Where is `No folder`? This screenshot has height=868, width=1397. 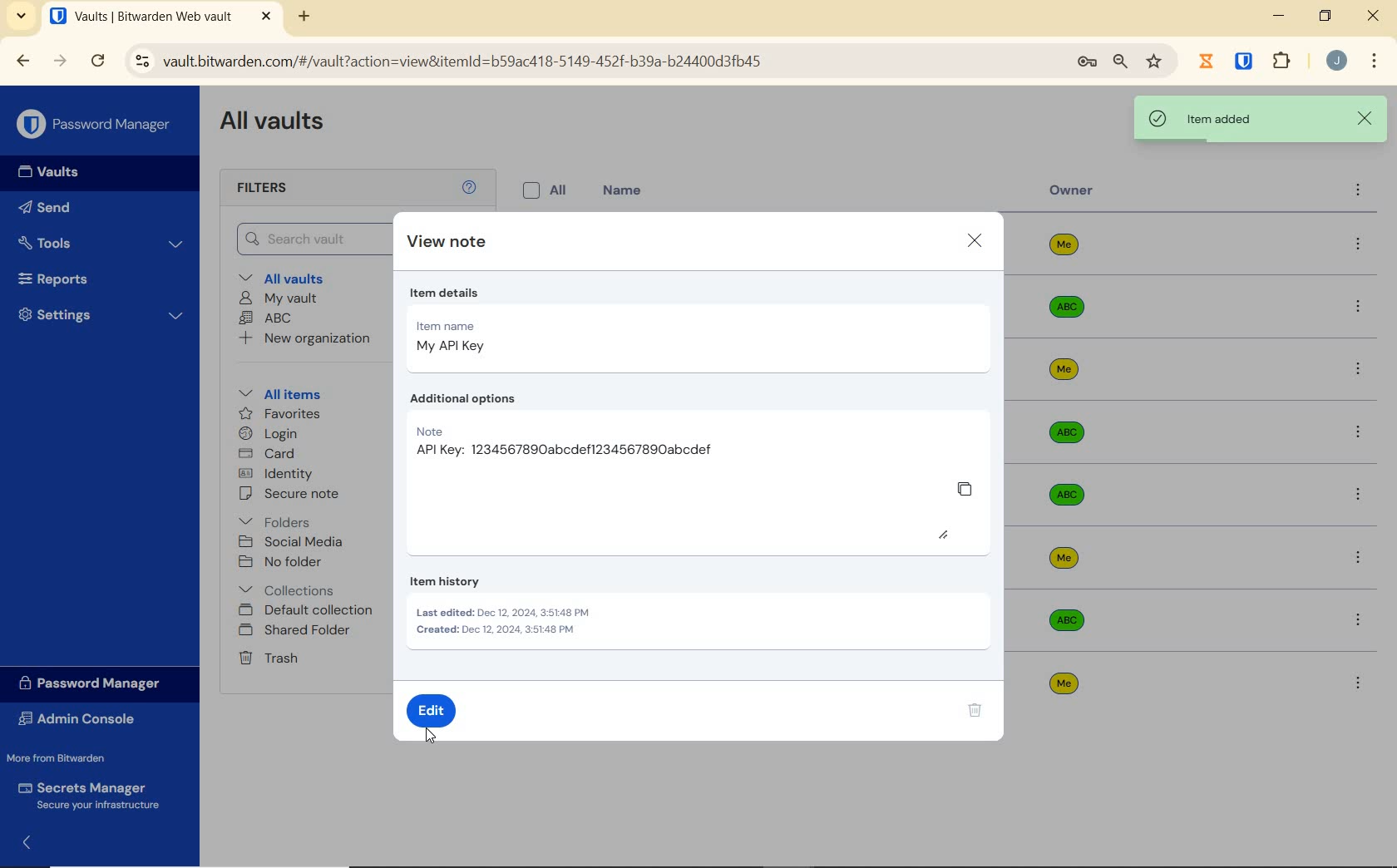 No folder is located at coordinates (284, 562).